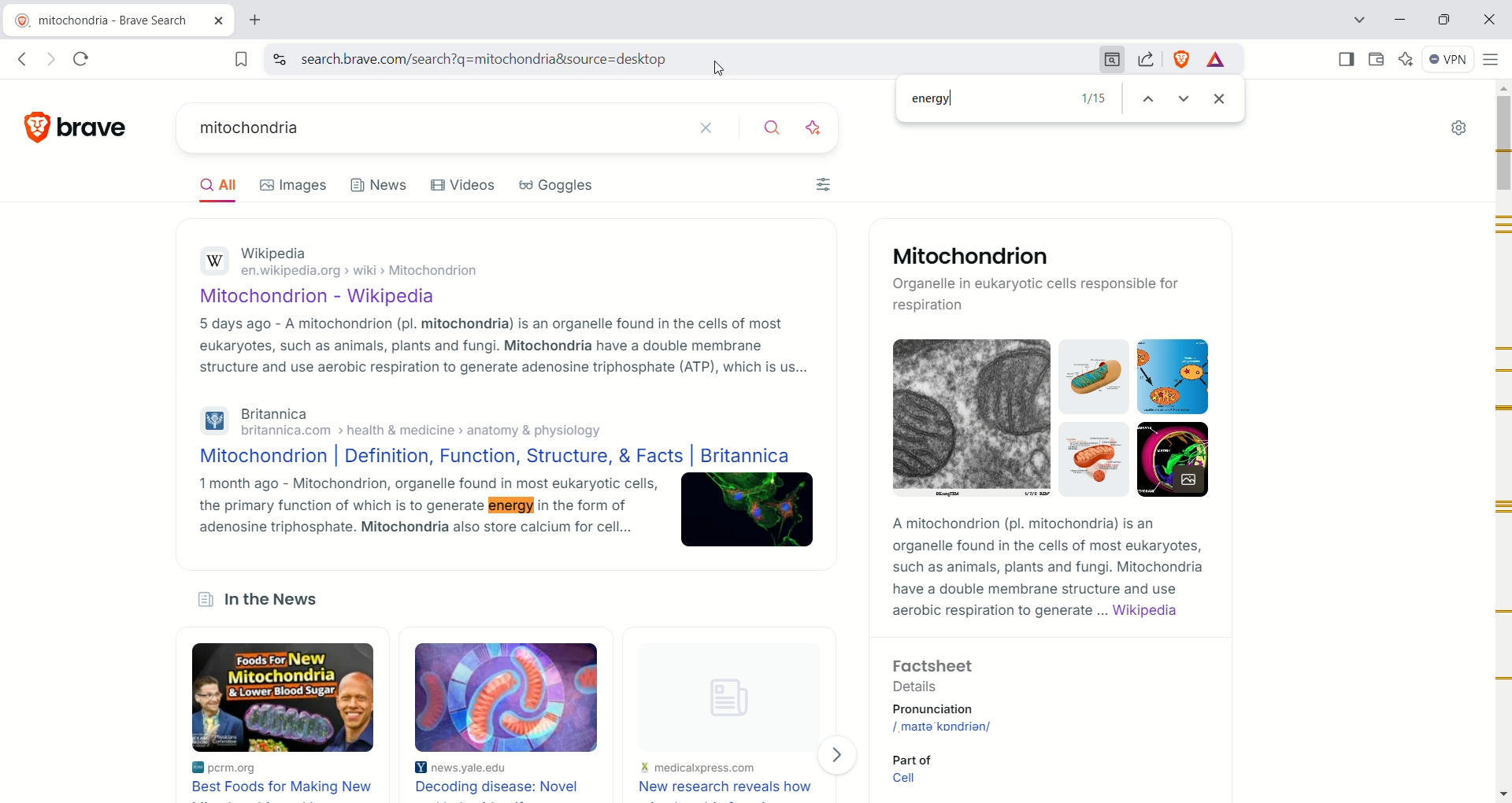 Image resolution: width=1512 pixels, height=803 pixels. Describe the element at coordinates (21, 20) in the screenshot. I see `brave logo` at that location.